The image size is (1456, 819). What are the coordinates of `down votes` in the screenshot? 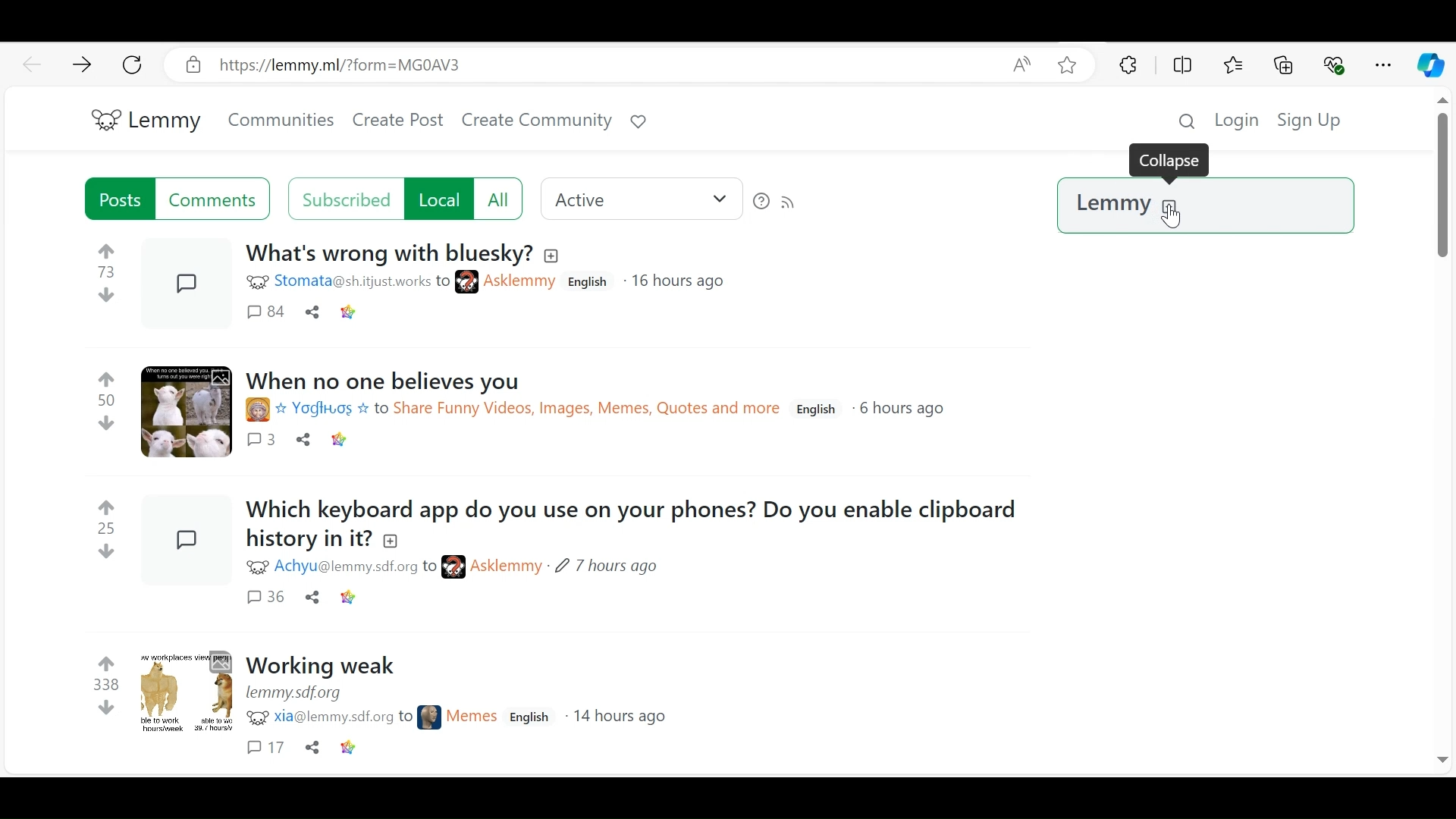 It's located at (103, 296).